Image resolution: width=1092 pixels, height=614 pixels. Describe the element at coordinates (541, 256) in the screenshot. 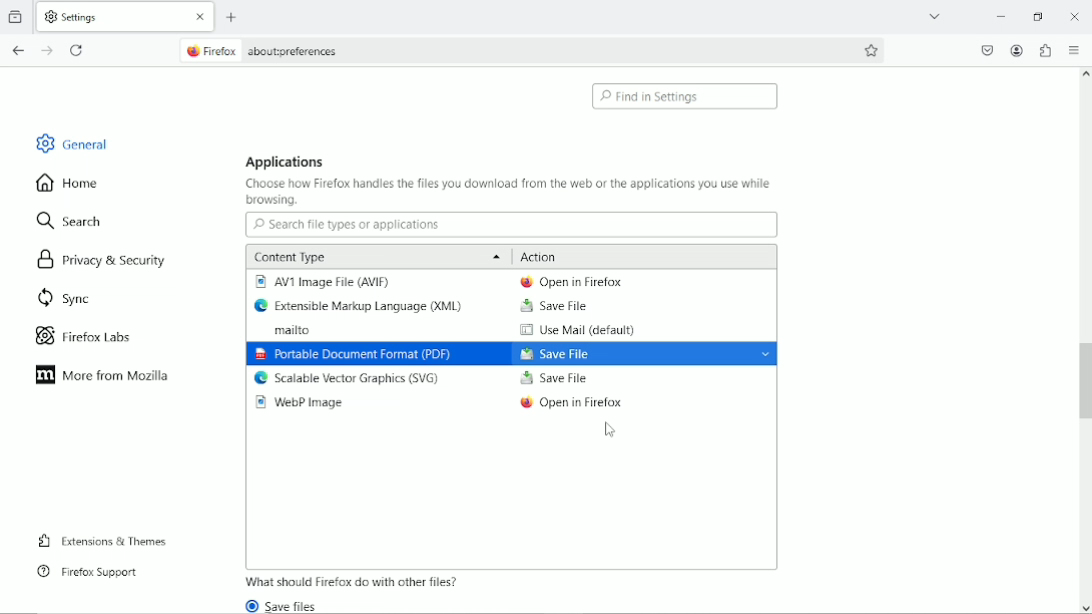

I see `Action` at that location.